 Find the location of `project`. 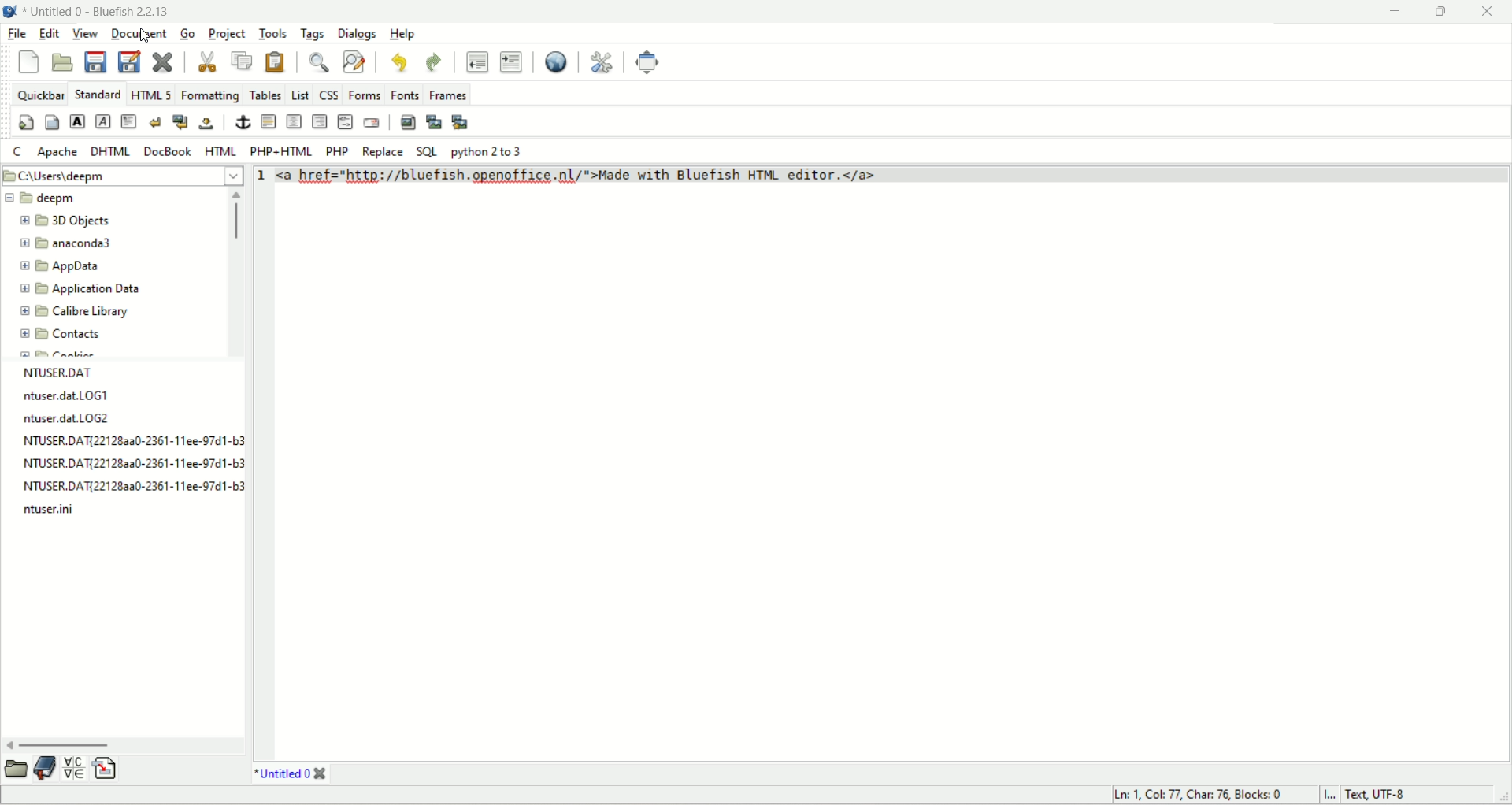

project is located at coordinates (226, 33).